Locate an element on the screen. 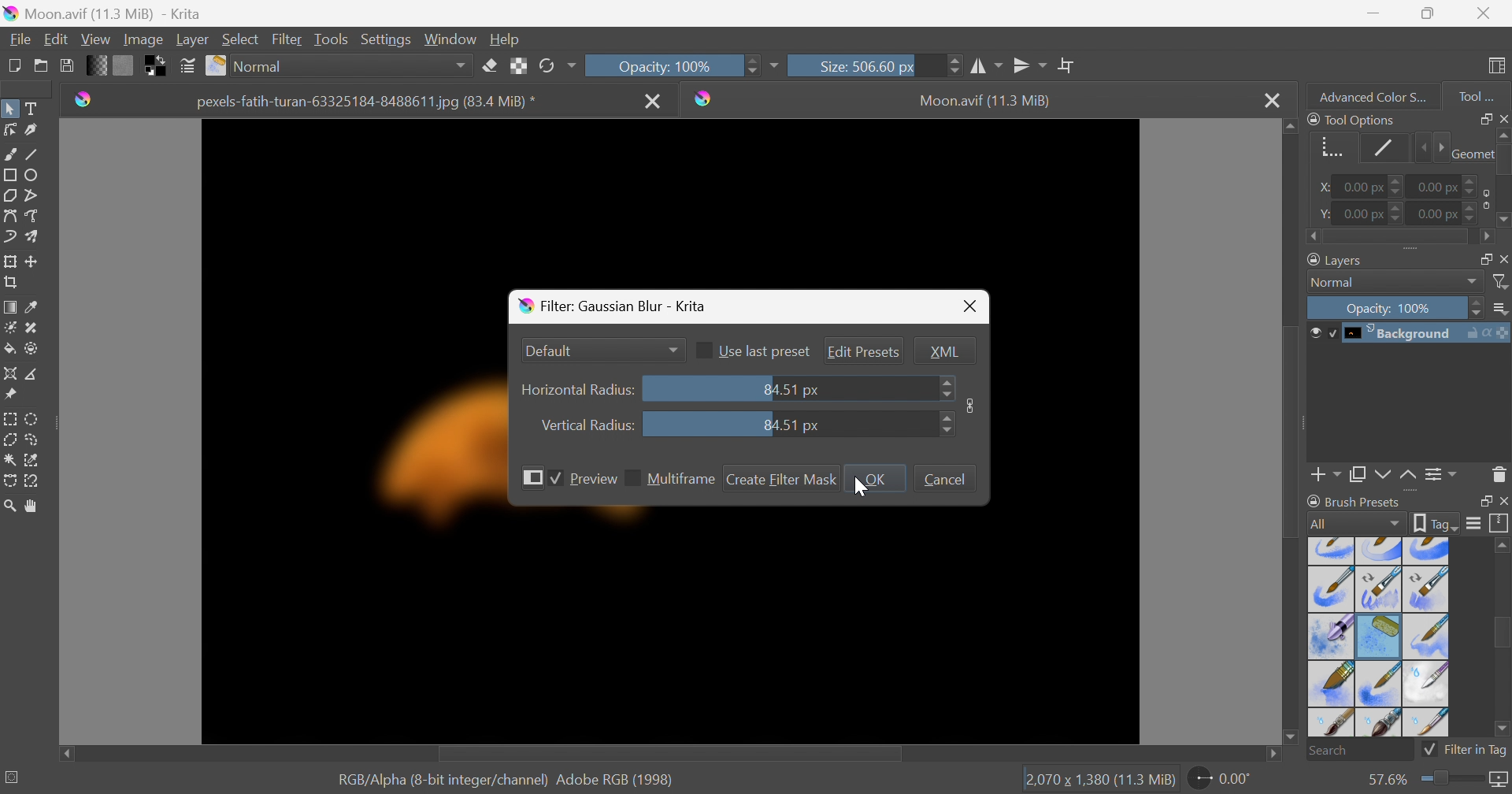  Freehand selection tool is located at coordinates (35, 439).